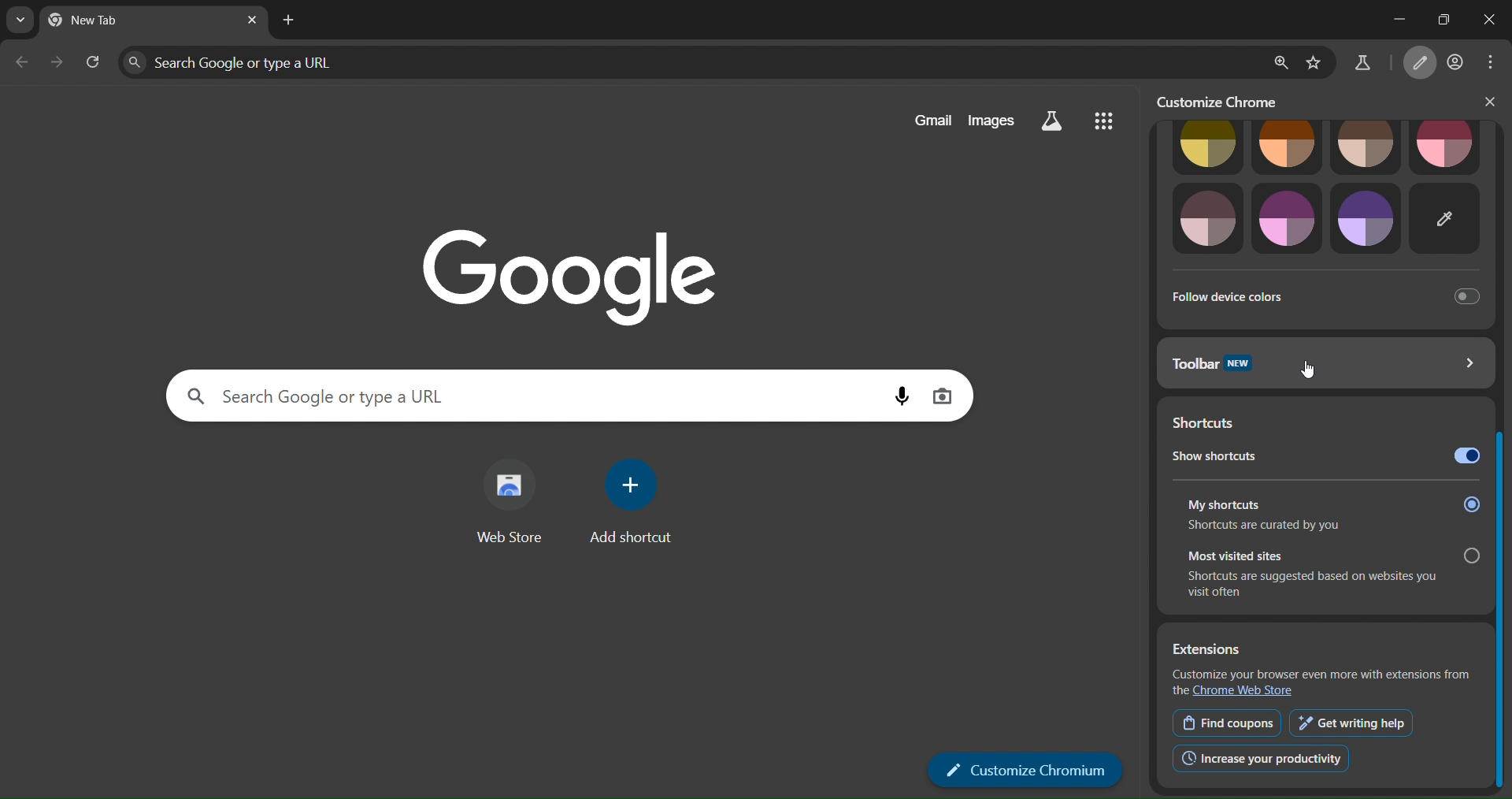 This screenshot has width=1512, height=799. What do you see at coordinates (995, 120) in the screenshot?
I see `images` at bounding box center [995, 120].